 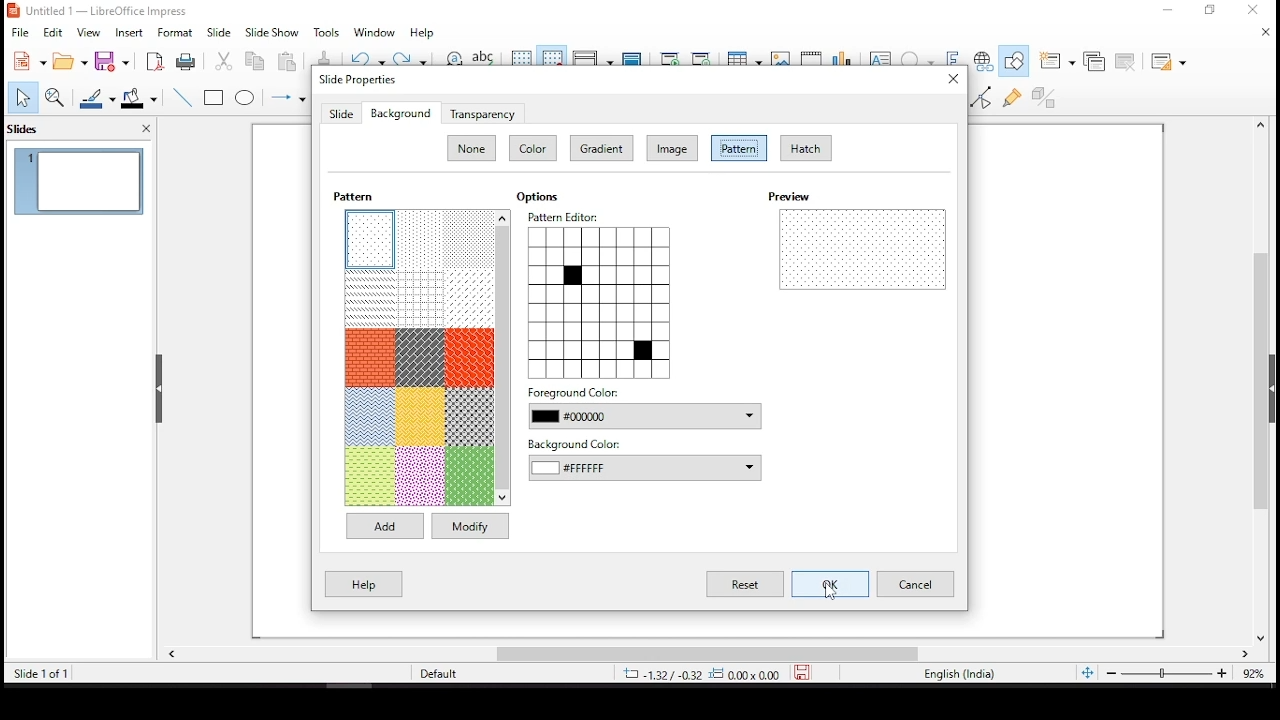 What do you see at coordinates (385, 526) in the screenshot?
I see `add` at bounding box center [385, 526].